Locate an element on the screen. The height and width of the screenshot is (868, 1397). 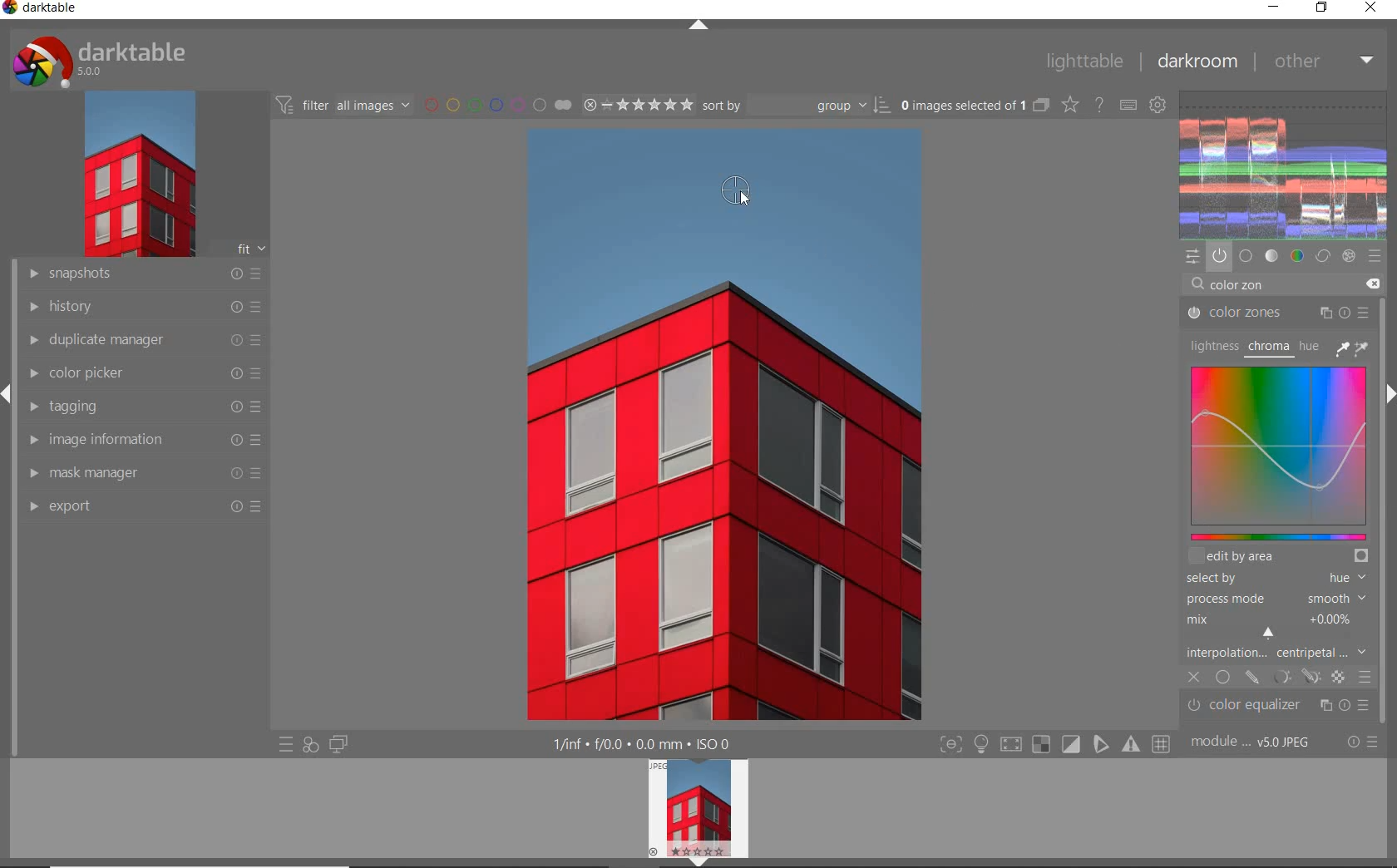
DELETE is located at coordinates (1372, 283).